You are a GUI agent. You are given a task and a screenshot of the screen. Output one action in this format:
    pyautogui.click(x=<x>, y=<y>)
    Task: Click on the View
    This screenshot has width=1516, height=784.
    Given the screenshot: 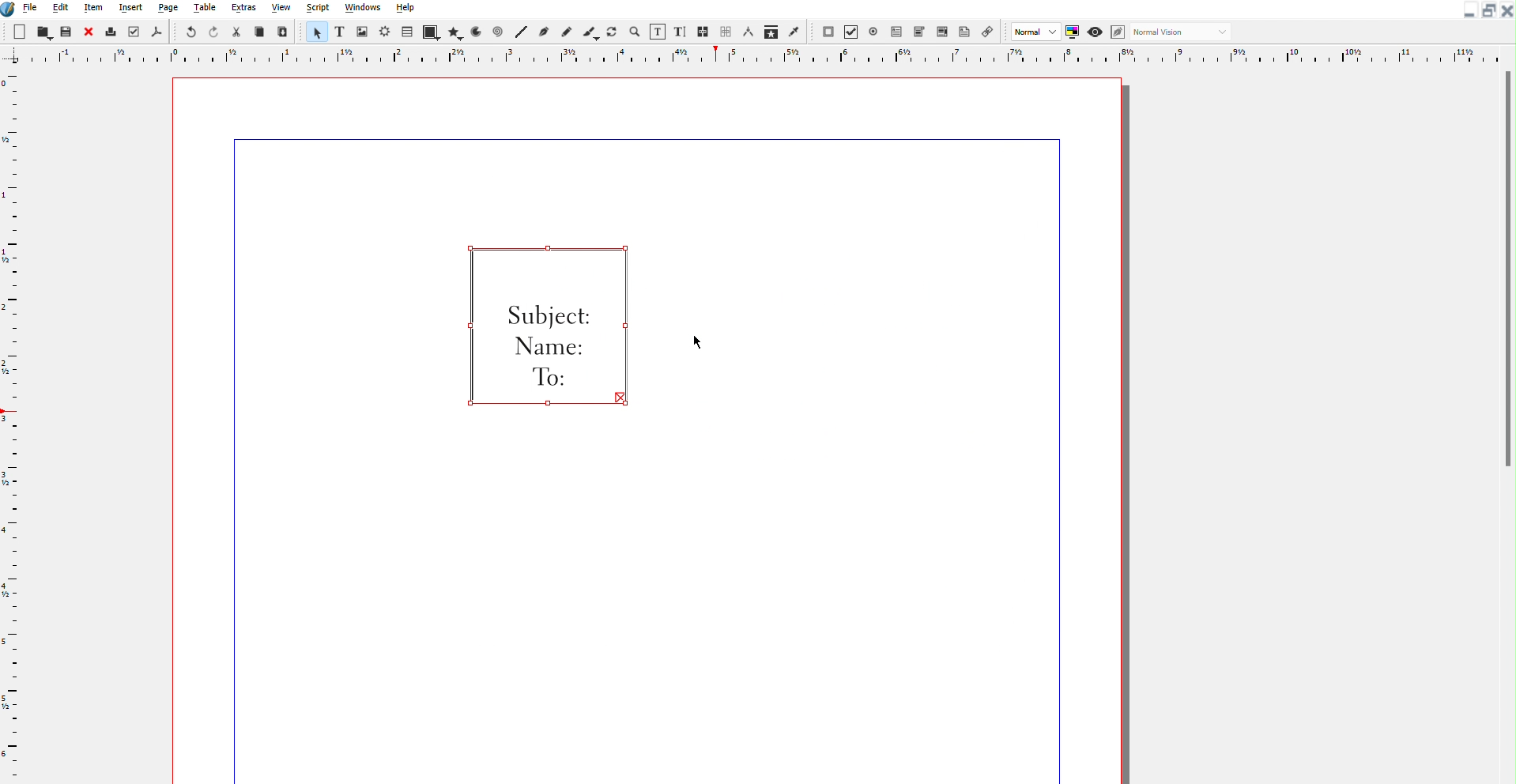 What is the action you would take?
    pyautogui.click(x=280, y=9)
    